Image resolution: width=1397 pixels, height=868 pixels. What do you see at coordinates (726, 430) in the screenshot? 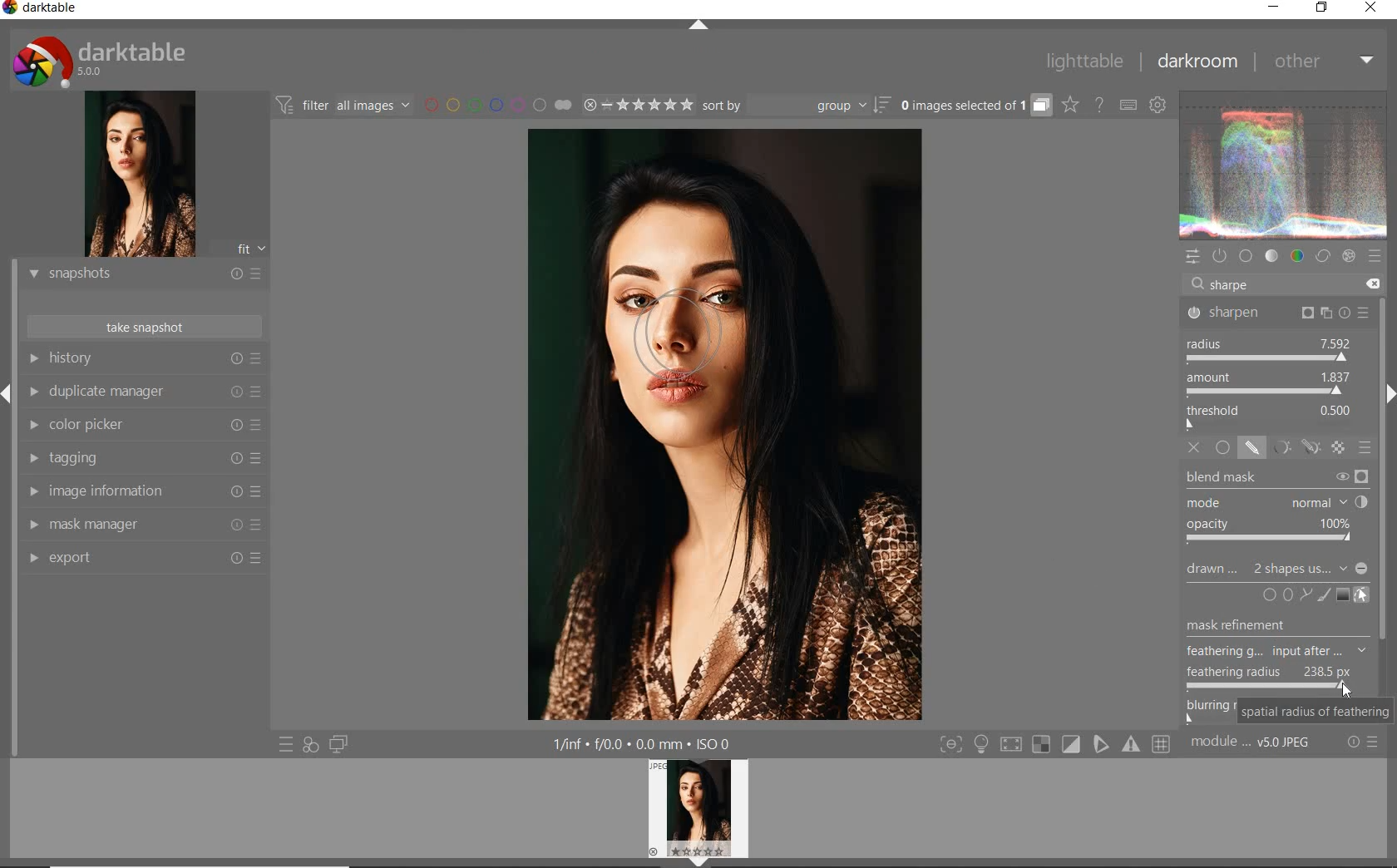
I see `selected image` at bounding box center [726, 430].